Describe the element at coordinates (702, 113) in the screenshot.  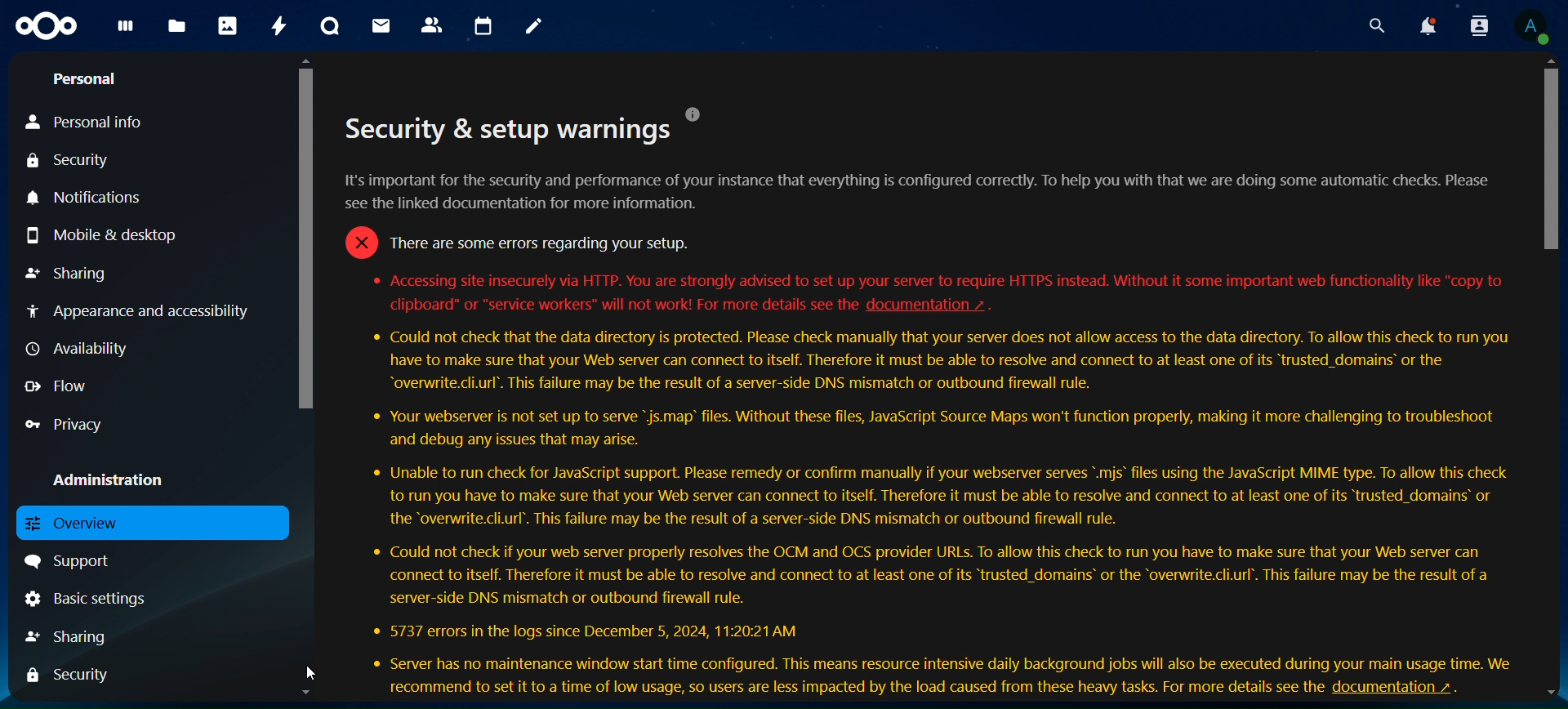
I see `help` at that location.